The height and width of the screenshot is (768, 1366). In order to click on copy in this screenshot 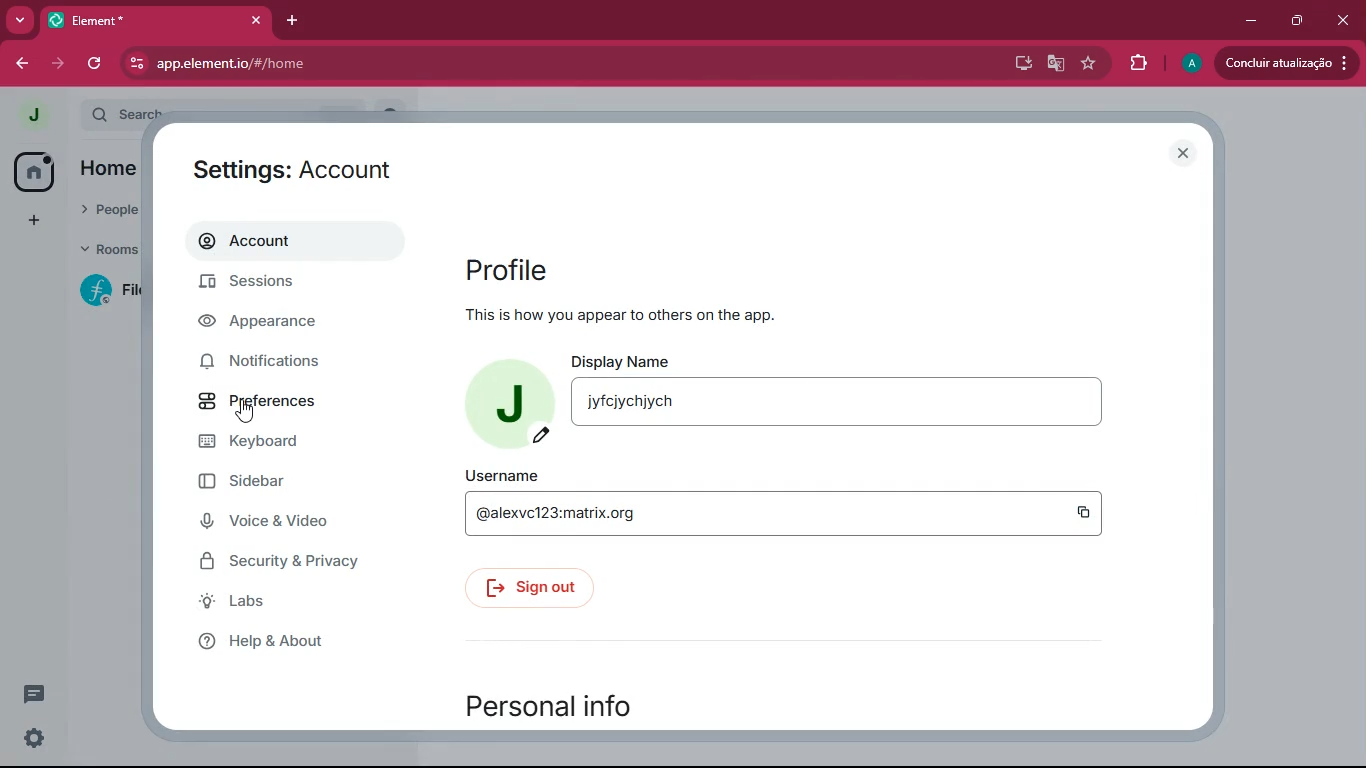, I will do `click(1081, 513)`.